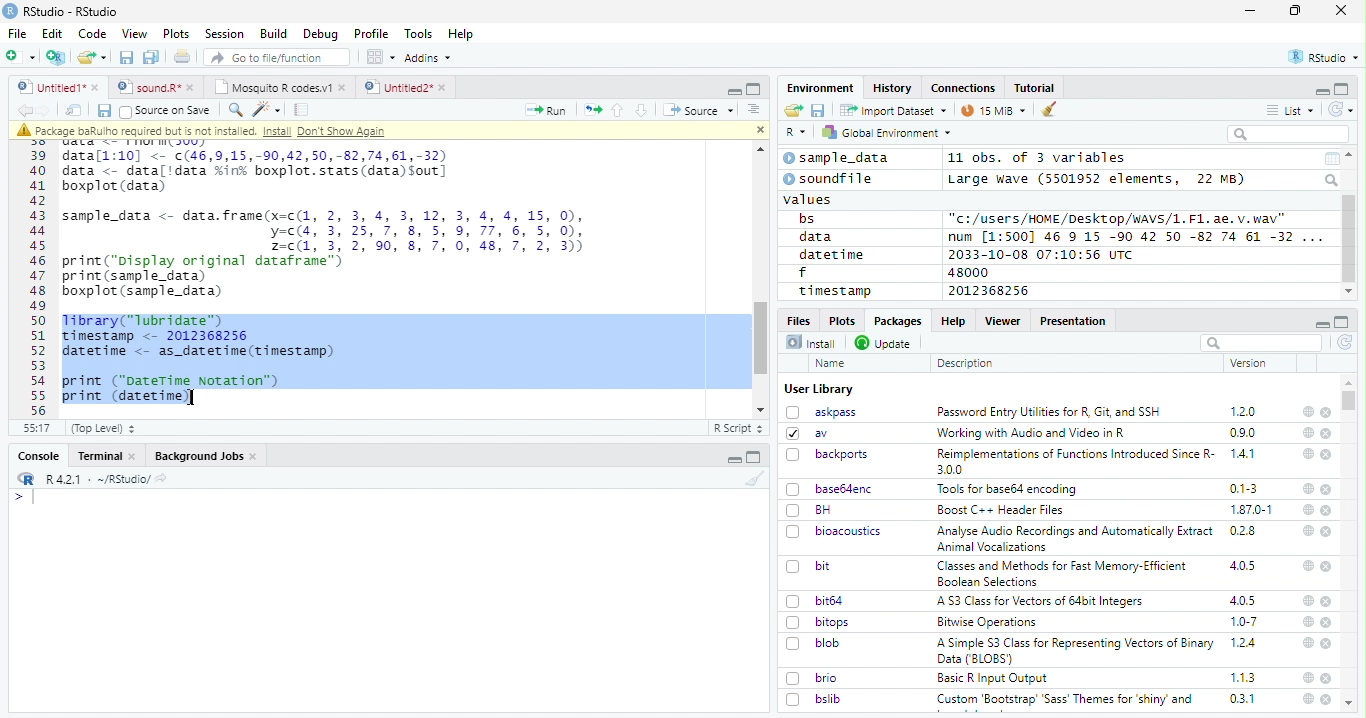 The image size is (1366, 718). Describe the element at coordinates (206, 456) in the screenshot. I see `Background Jobs` at that location.